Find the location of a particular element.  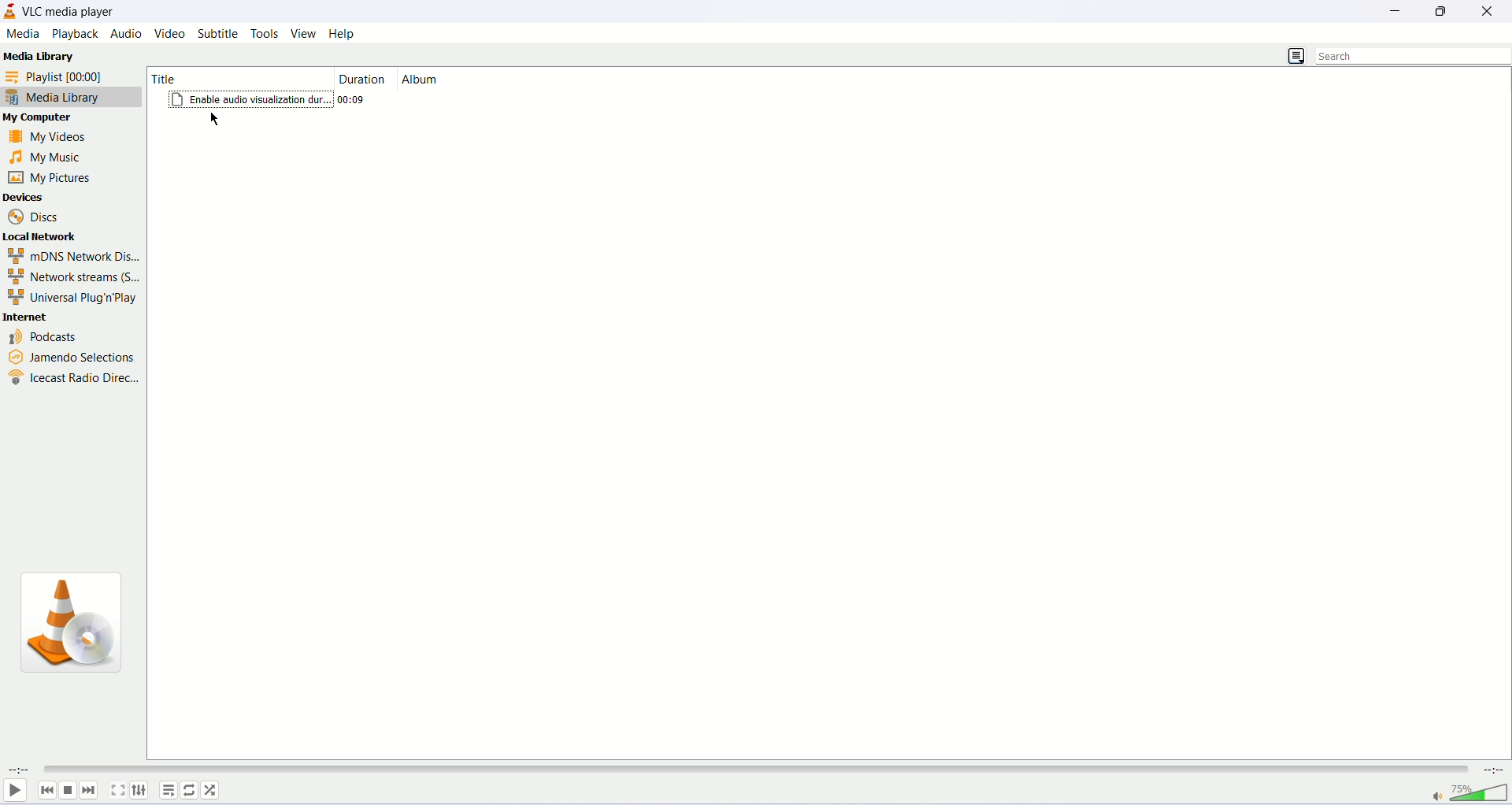

fullscreen is located at coordinates (117, 789).